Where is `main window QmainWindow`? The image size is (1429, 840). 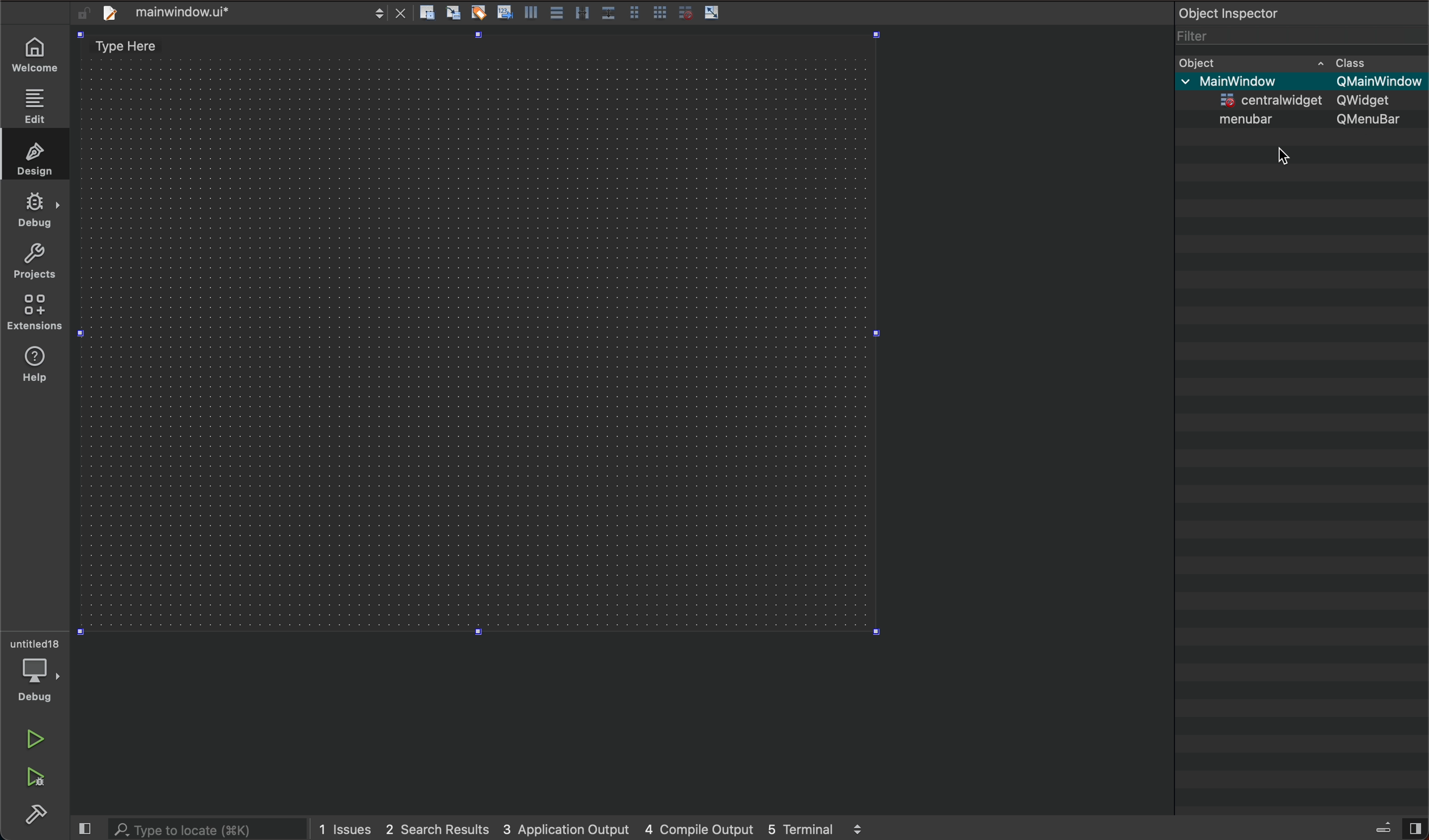
main window QmainWindow is located at coordinates (1299, 83).